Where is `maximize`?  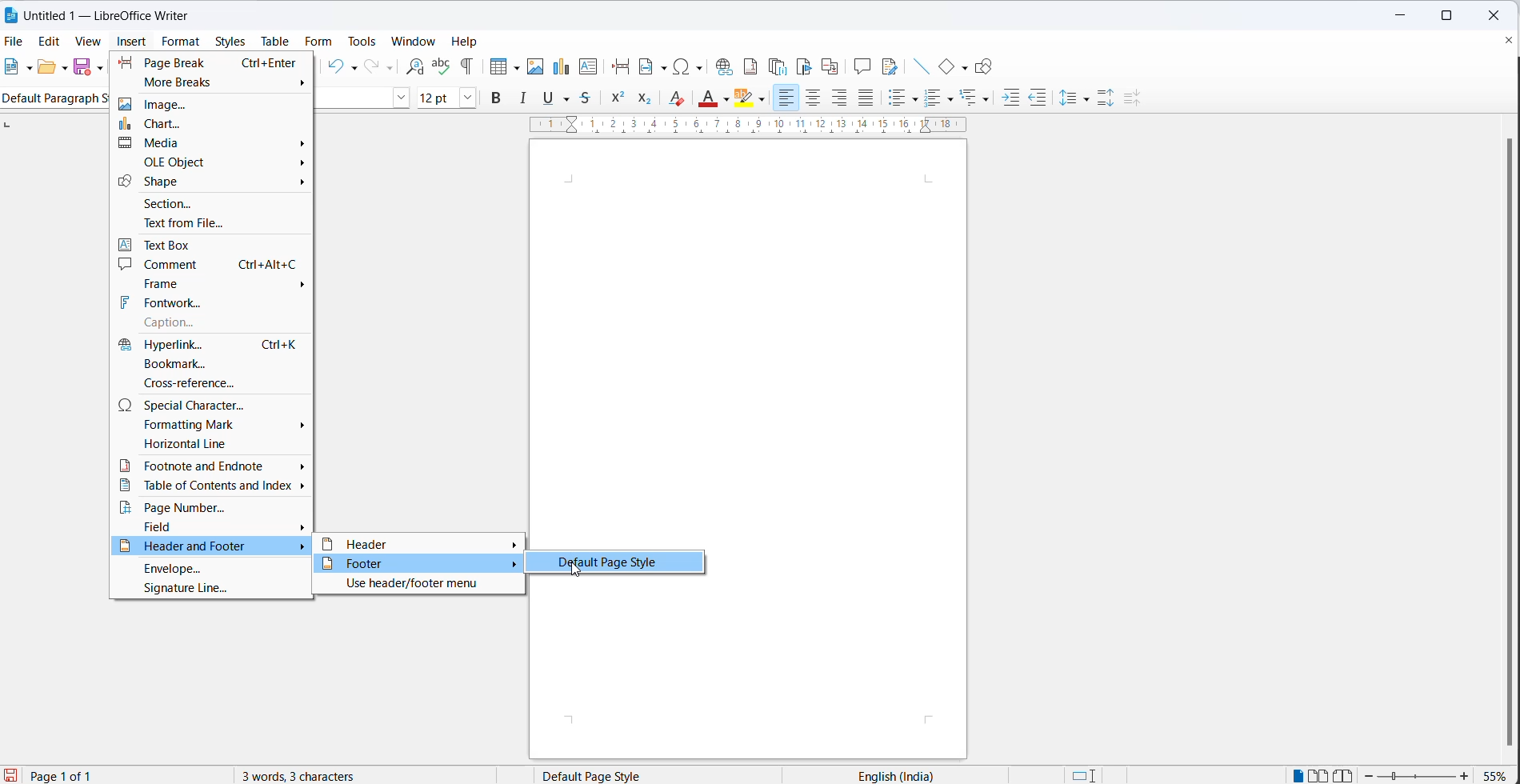 maximize is located at coordinates (1446, 18).